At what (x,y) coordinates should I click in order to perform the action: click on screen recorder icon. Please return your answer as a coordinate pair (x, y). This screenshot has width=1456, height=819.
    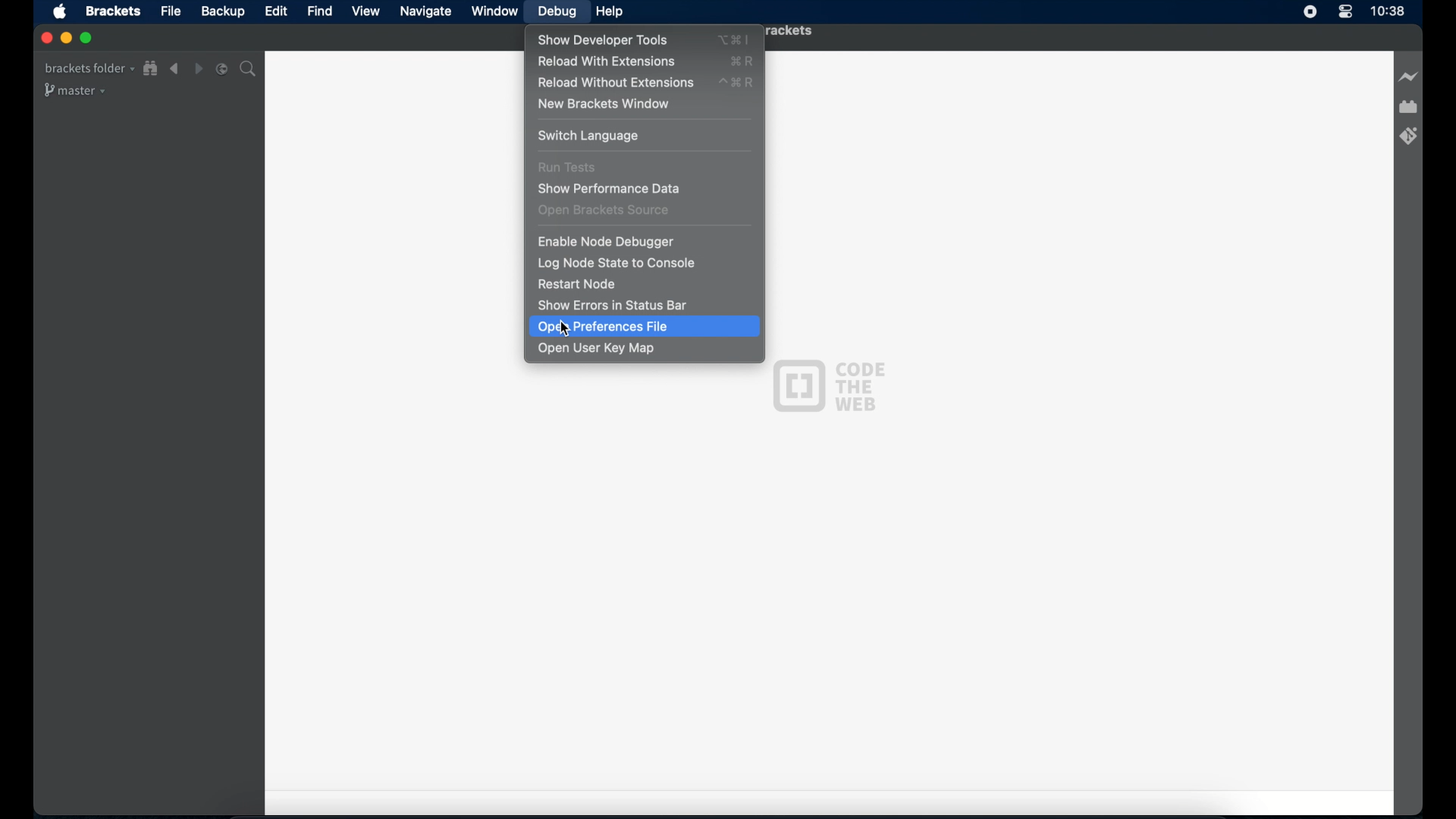
    Looking at the image, I should click on (1310, 11).